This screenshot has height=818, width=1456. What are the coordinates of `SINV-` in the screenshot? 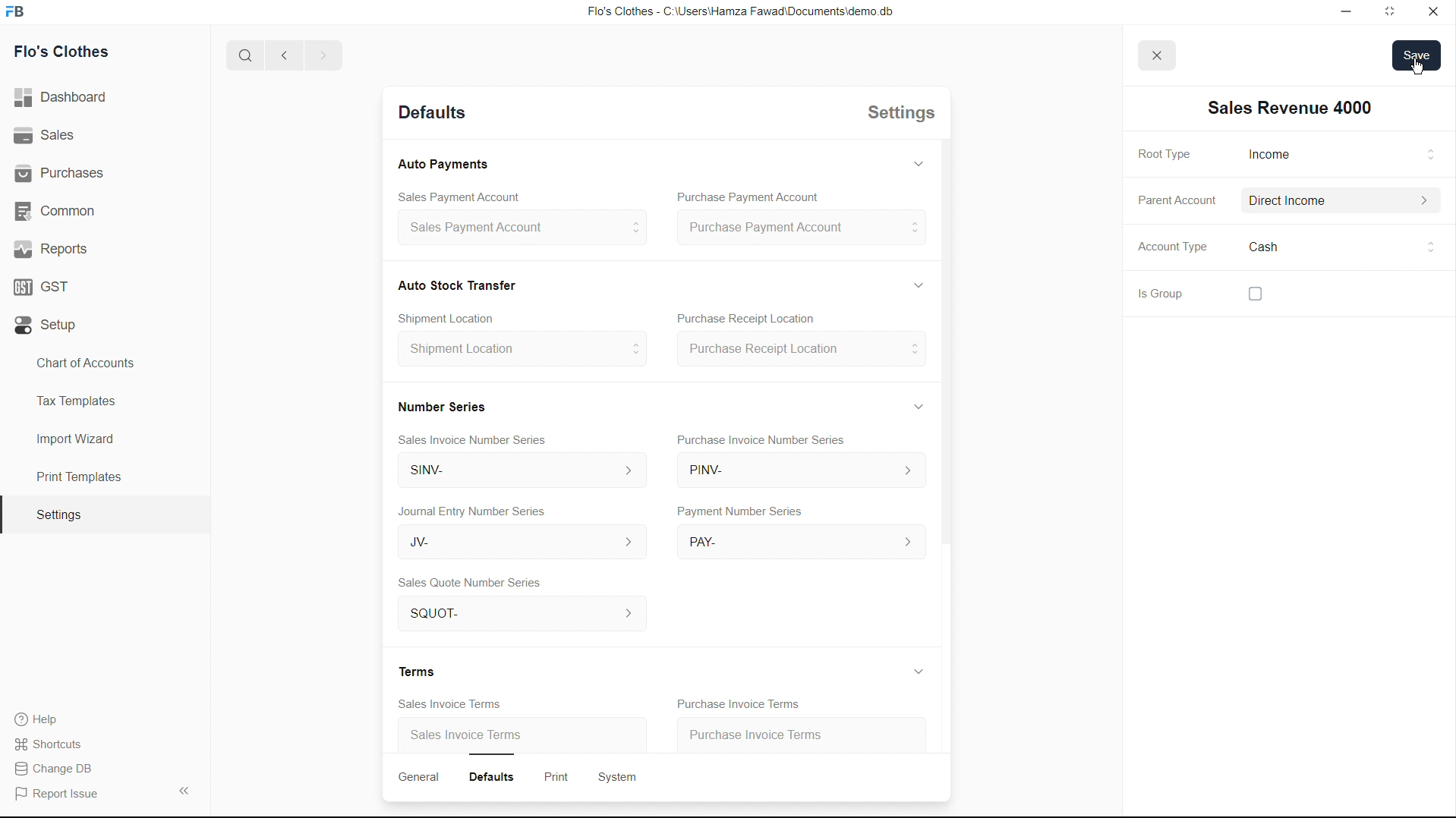 It's located at (515, 472).